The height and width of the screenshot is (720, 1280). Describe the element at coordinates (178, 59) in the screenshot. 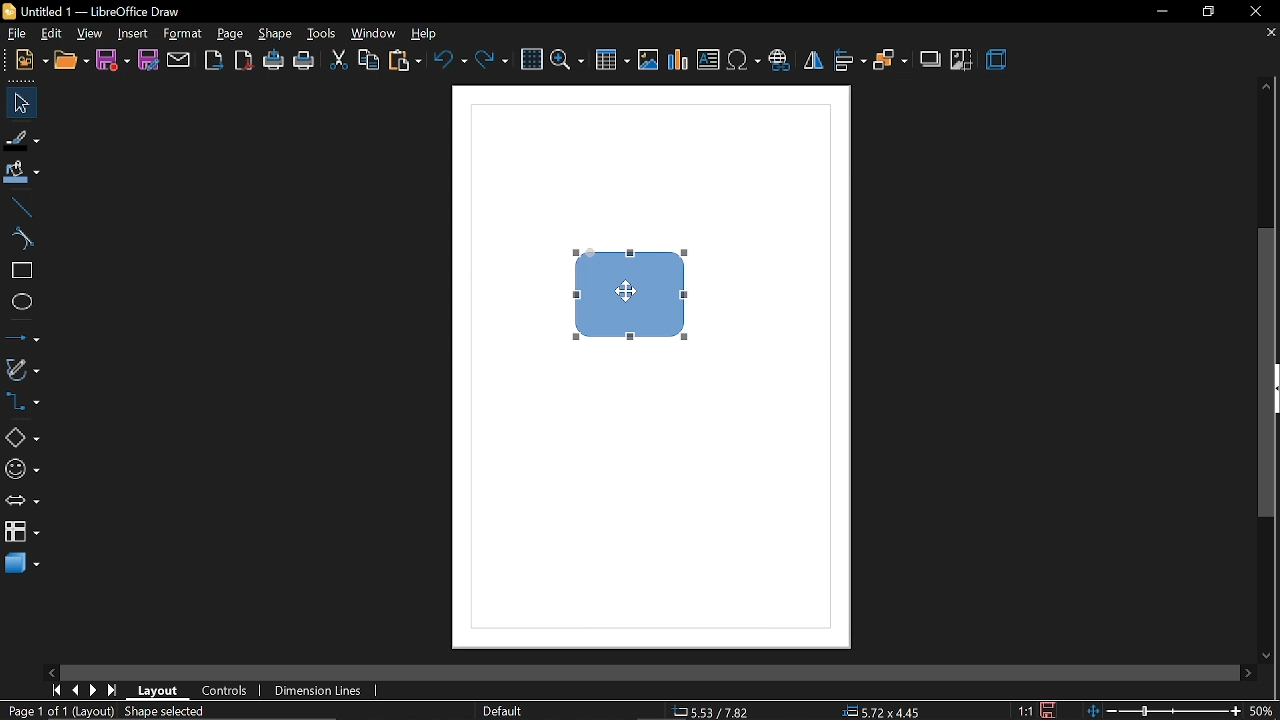

I see `attach` at that location.